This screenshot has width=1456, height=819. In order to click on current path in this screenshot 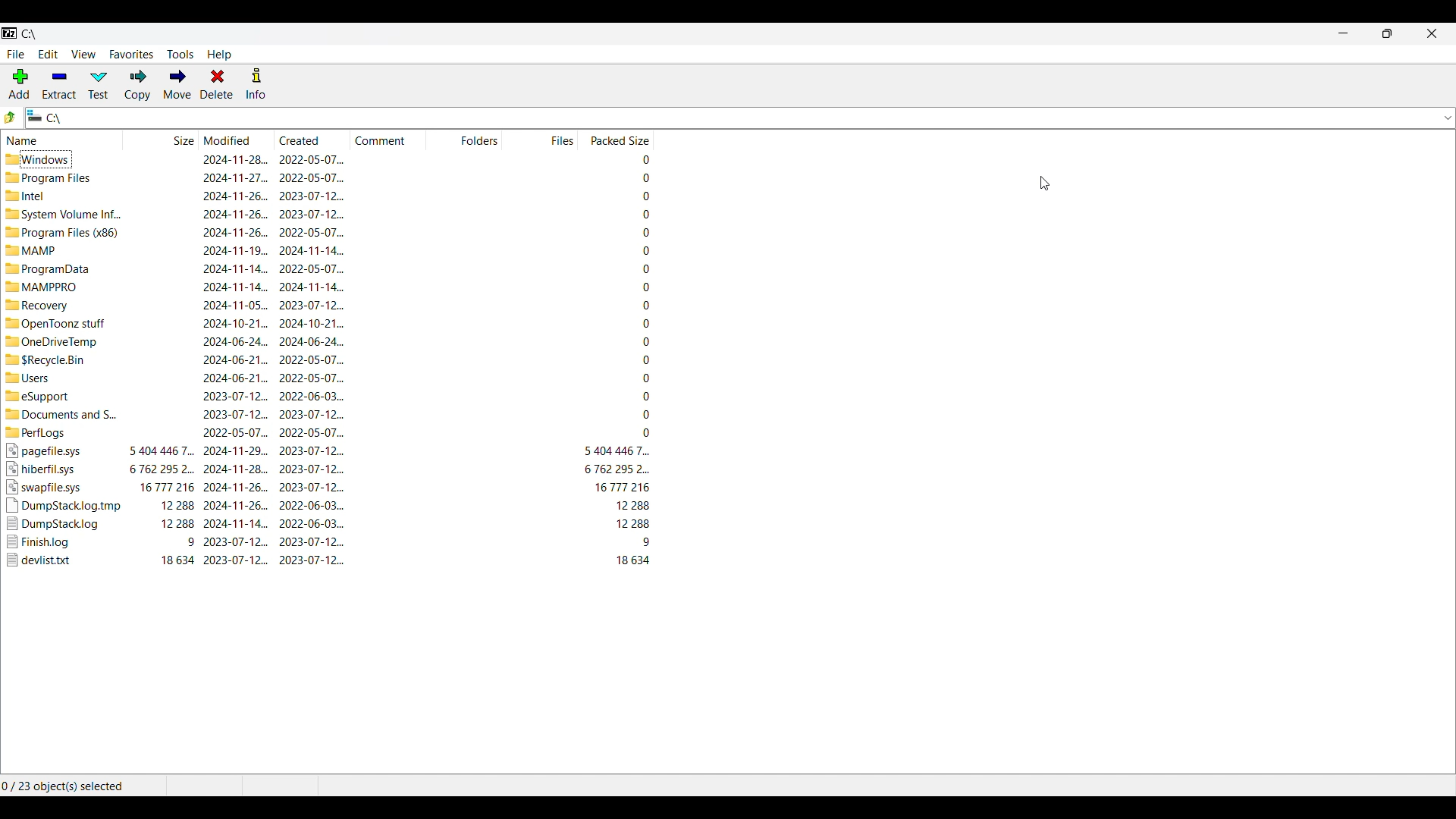, I will do `click(36, 34)`.